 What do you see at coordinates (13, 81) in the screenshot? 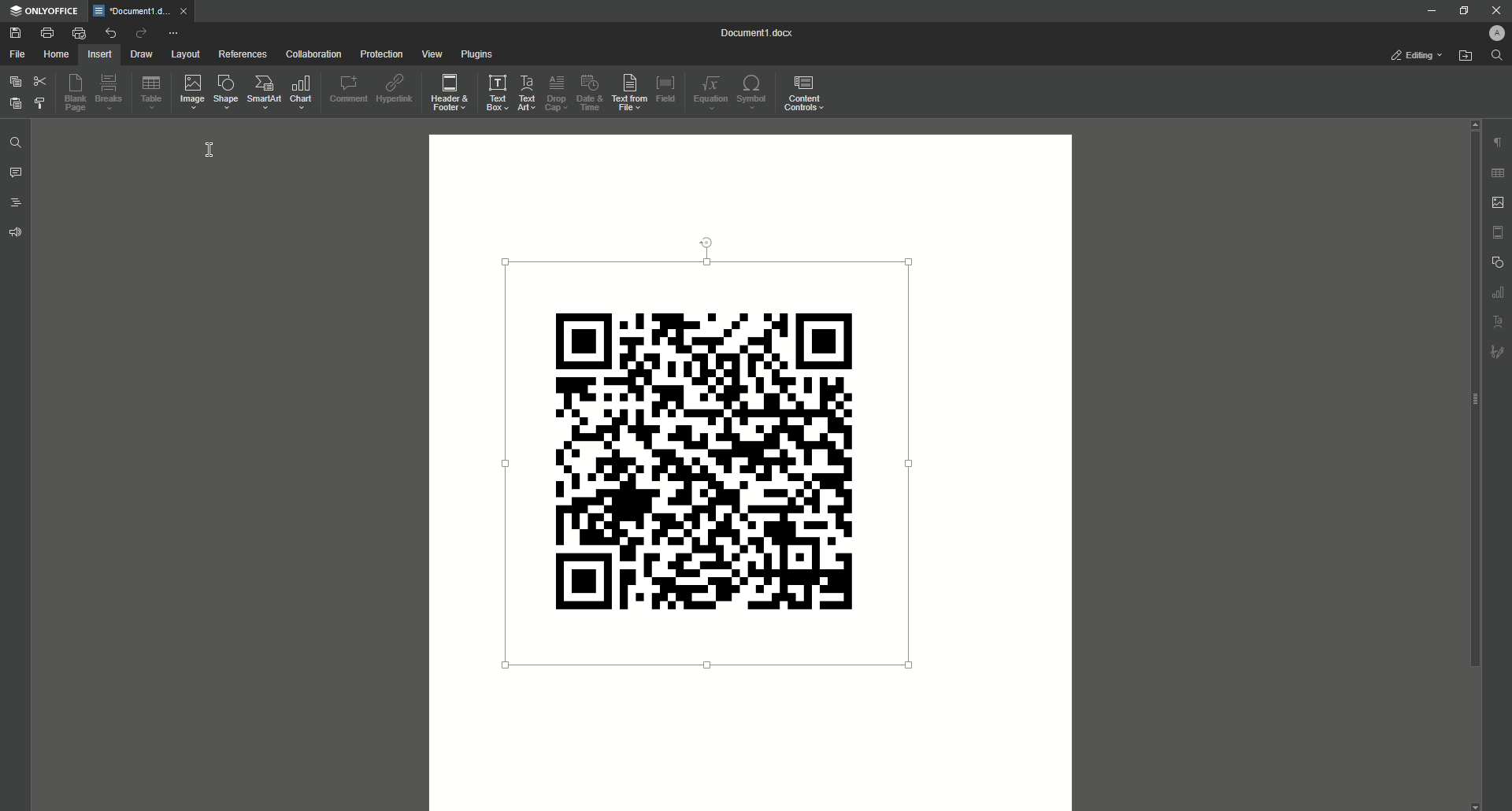
I see `Copy` at bounding box center [13, 81].